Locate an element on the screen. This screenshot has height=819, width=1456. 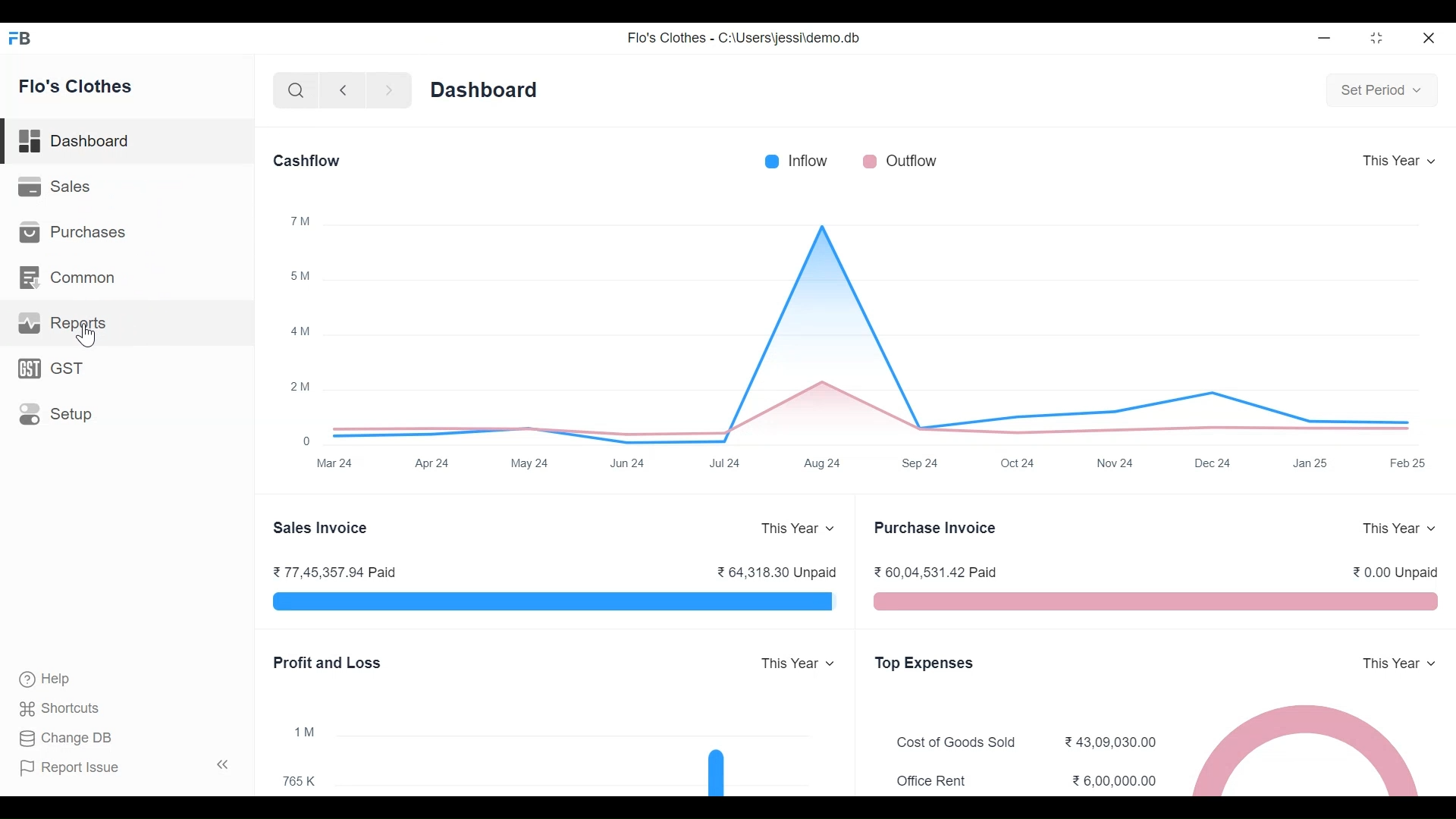
Nov 24 is located at coordinates (1115, 464).